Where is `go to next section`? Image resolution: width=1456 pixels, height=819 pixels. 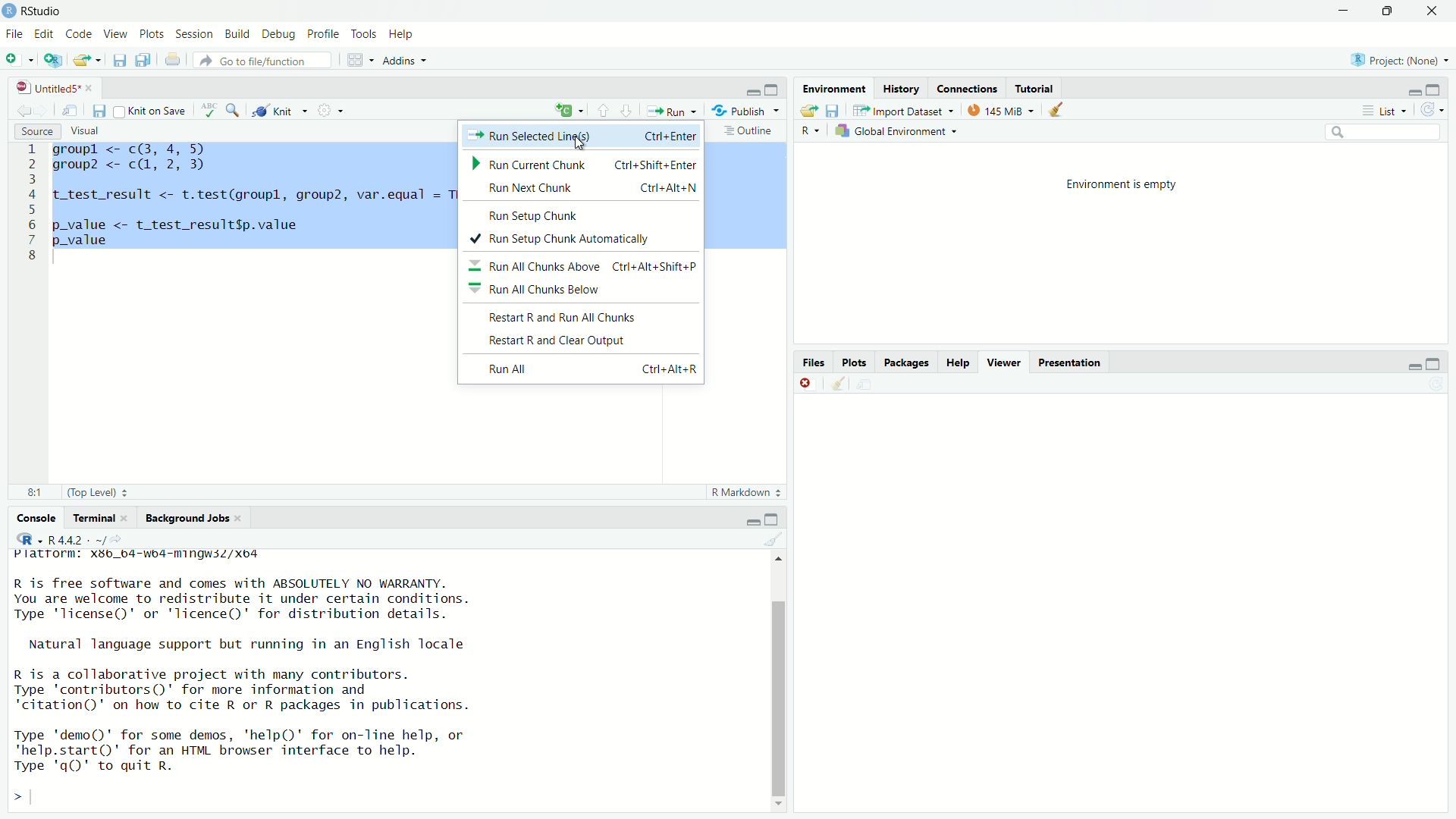 go to next section is located at coordinates (627, 108).